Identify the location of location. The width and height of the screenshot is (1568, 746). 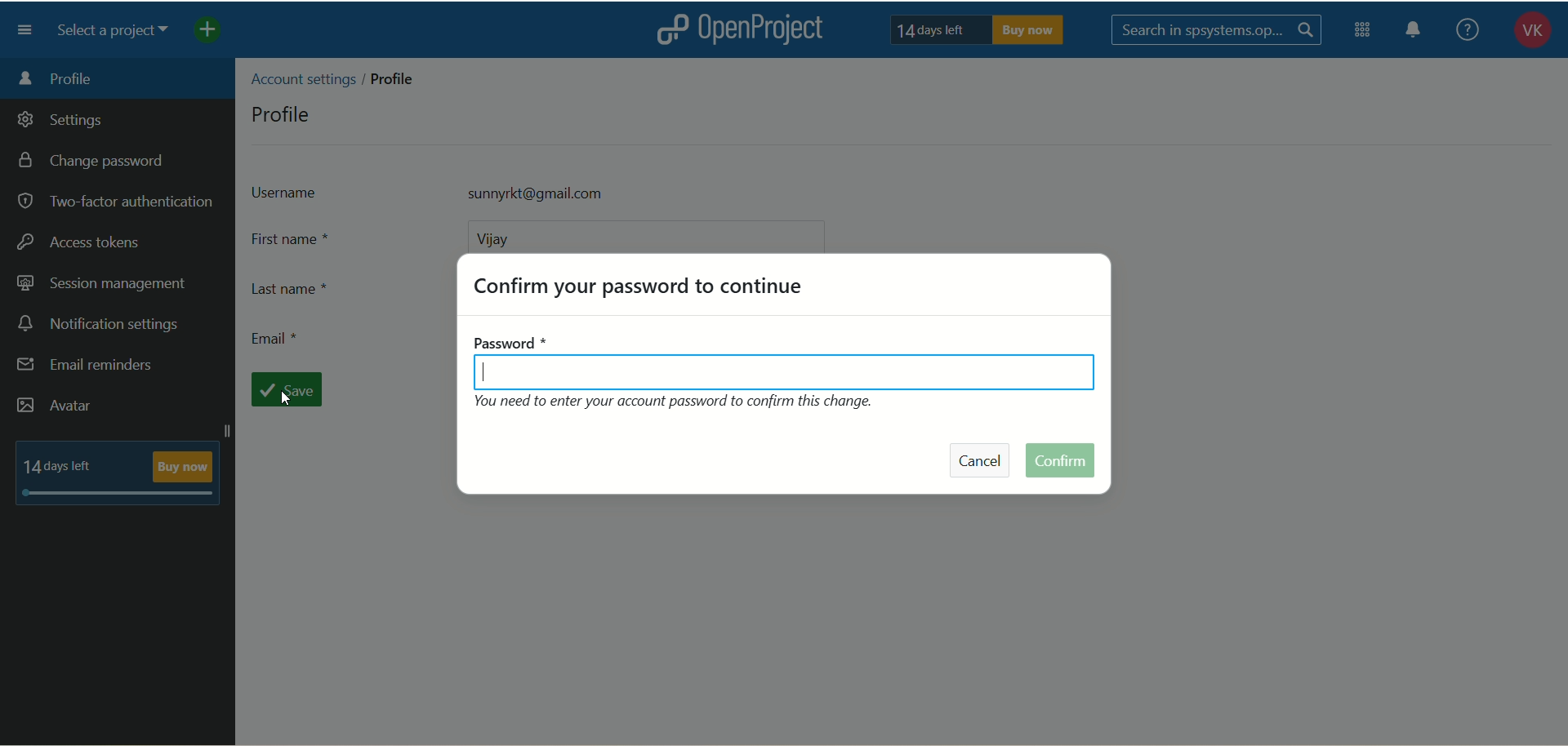
(340, 77).